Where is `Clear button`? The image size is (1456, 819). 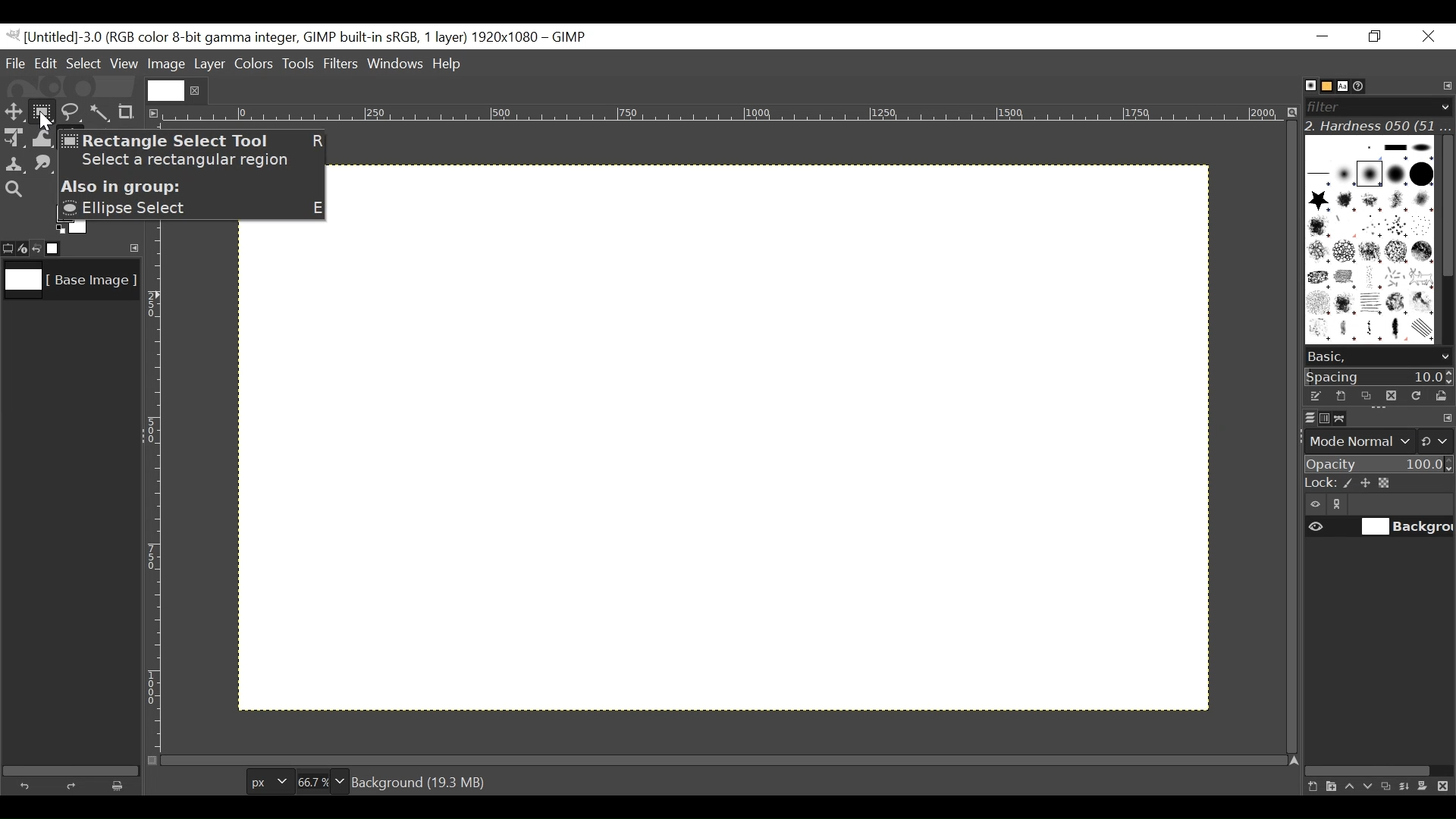
Clear button is located at coordinates (122, 786).